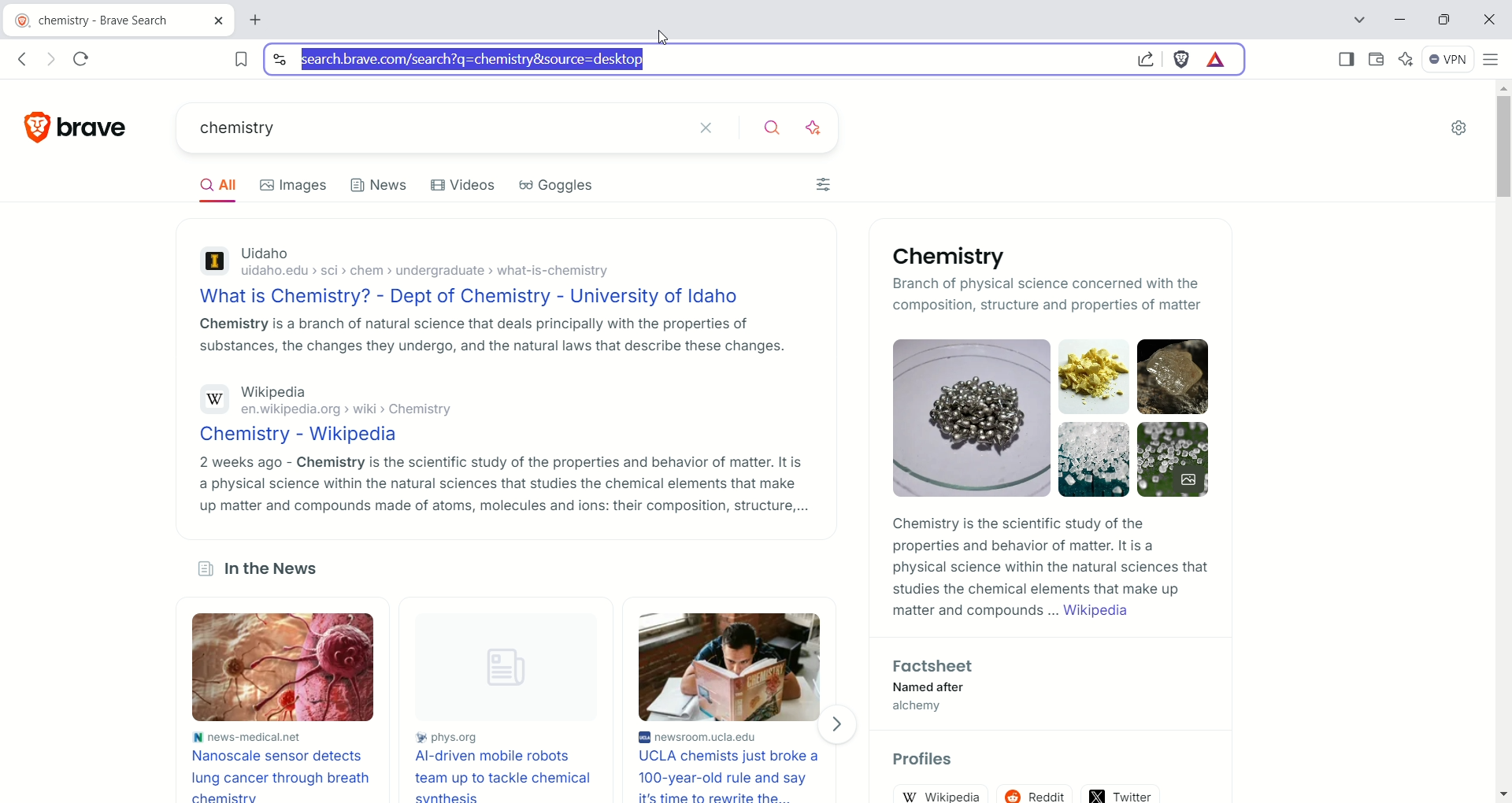  I want to click on maximize, so click(1444, 20).